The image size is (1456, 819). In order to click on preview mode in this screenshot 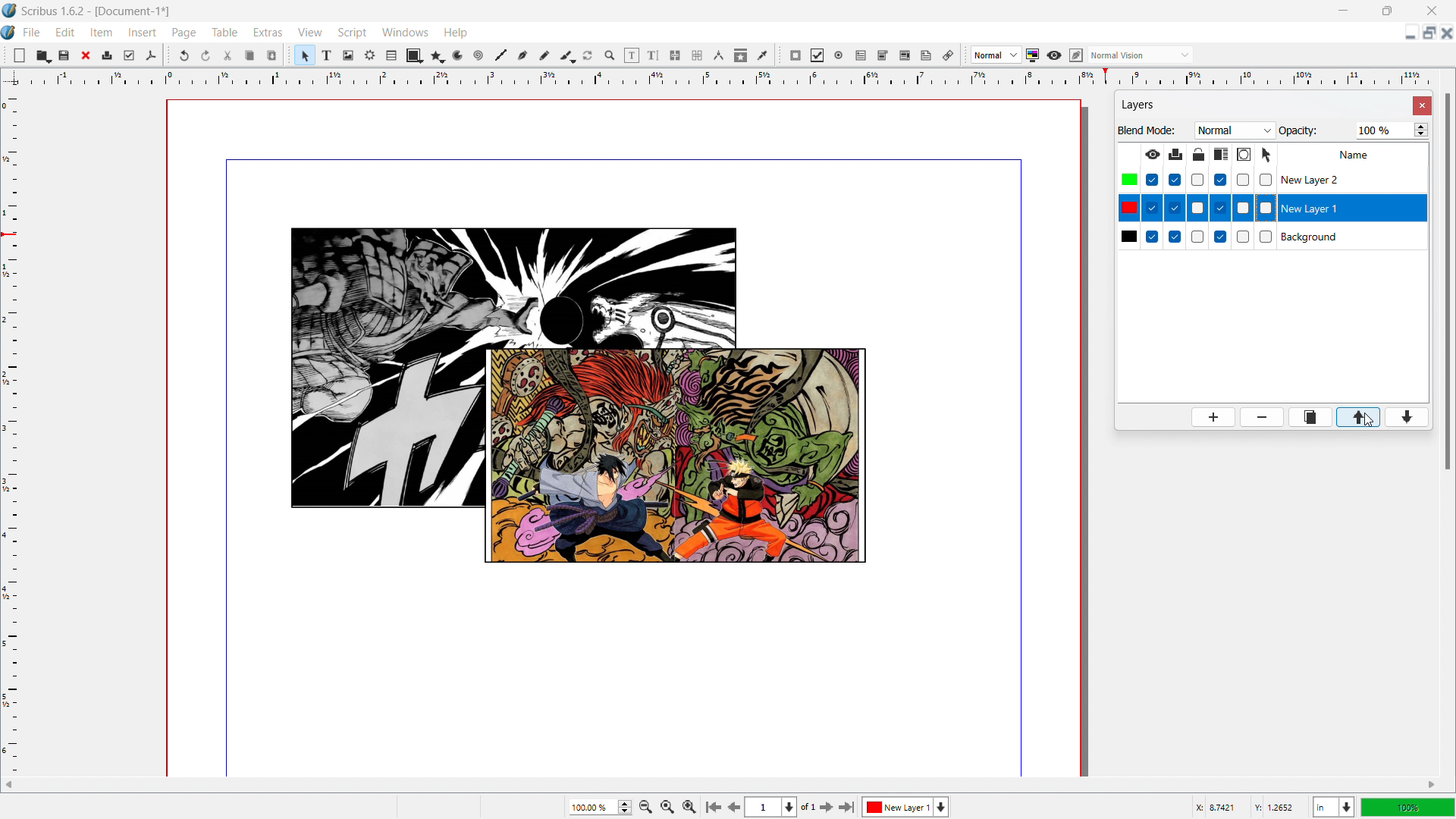, I will do `click(1054, 55)`.